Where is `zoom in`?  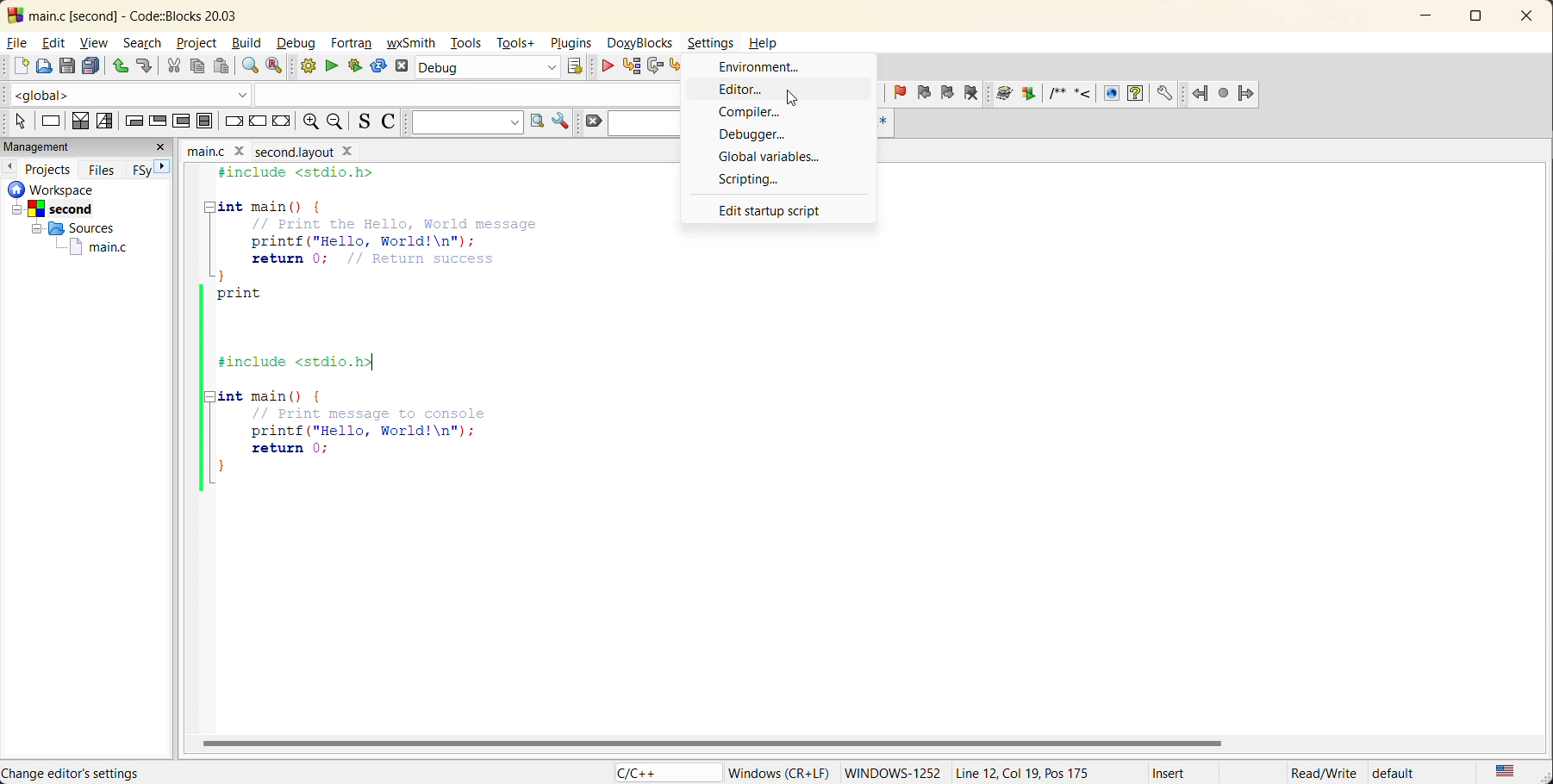 zoom in is located at coordinates (309, 121).